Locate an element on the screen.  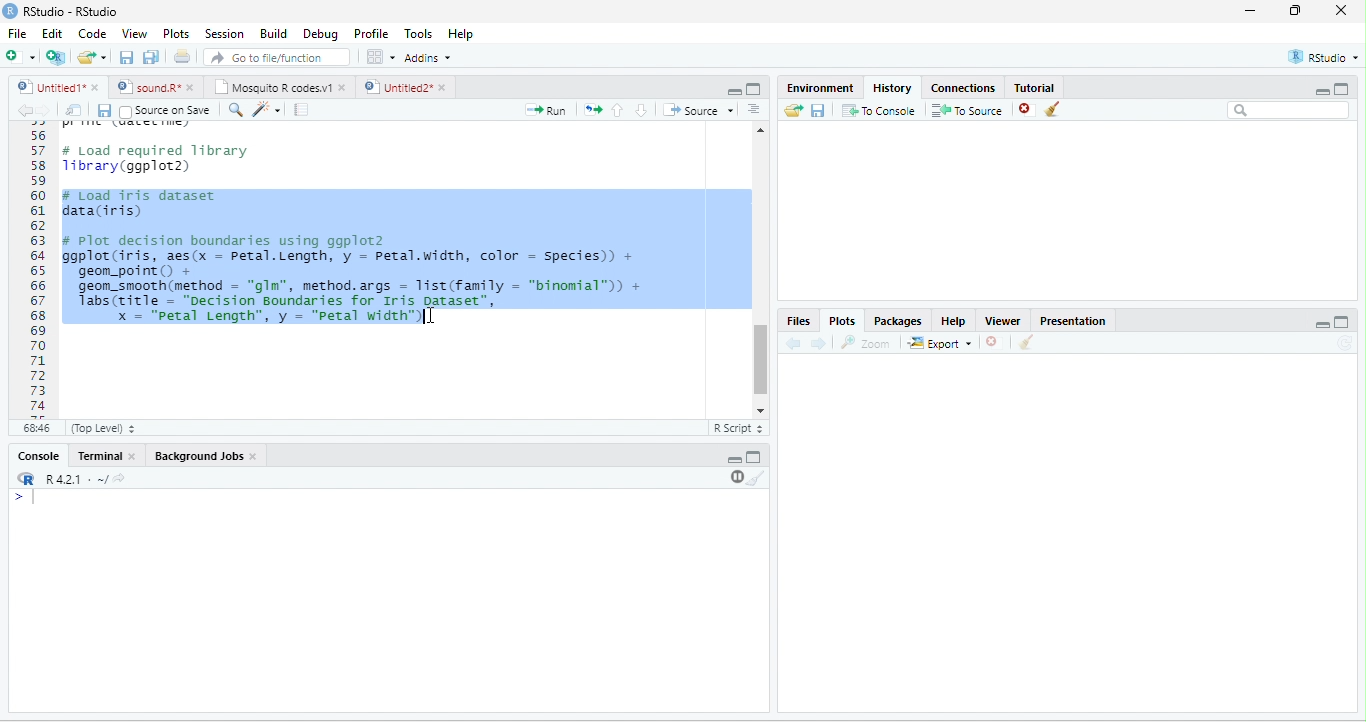
Help is located at coordinates (463, 35).